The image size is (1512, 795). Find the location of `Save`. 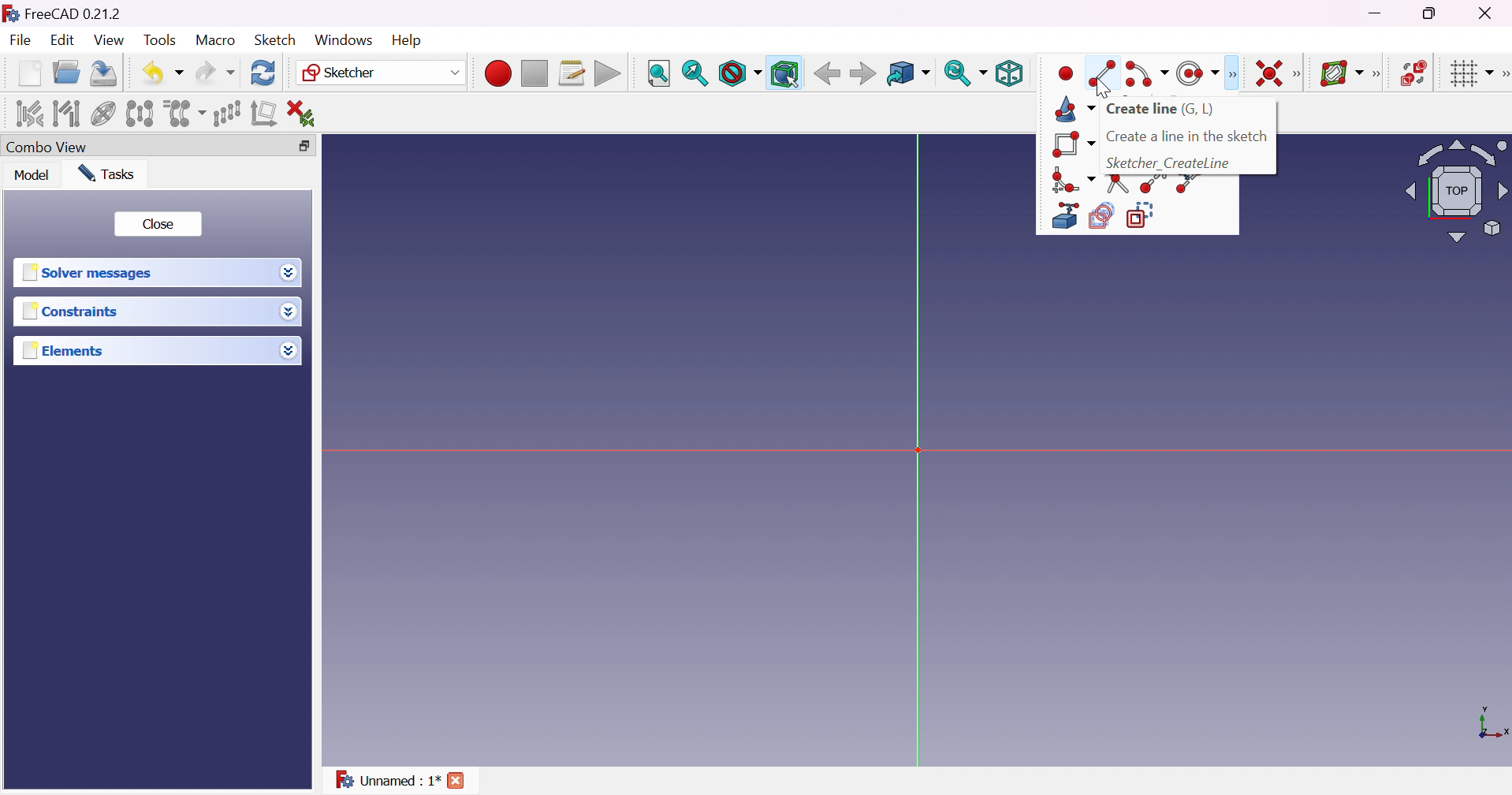

Save is located at coordinates (106, 73).